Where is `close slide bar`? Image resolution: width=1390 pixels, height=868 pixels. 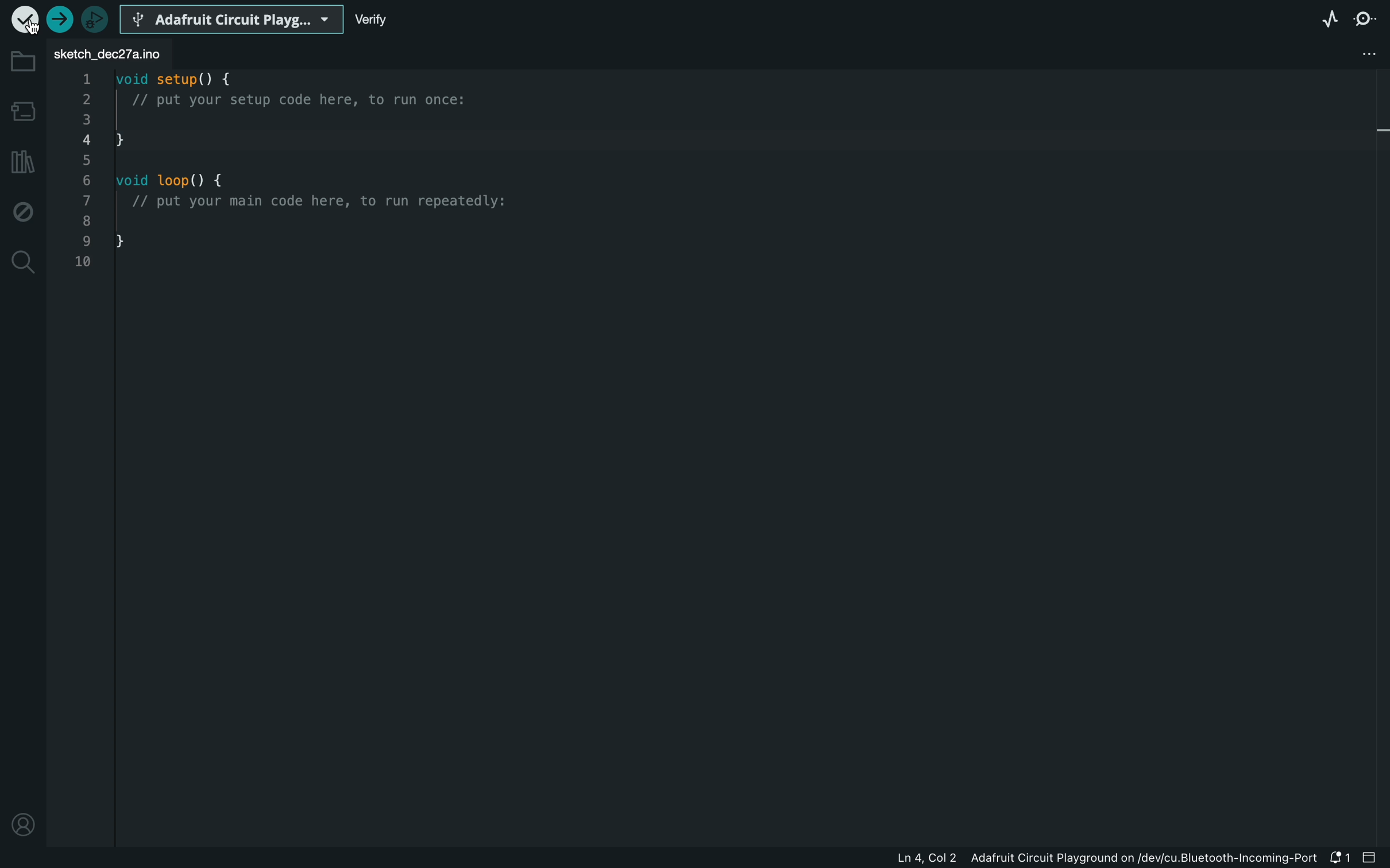
close slide bar is located at coordinates (1372, 858).